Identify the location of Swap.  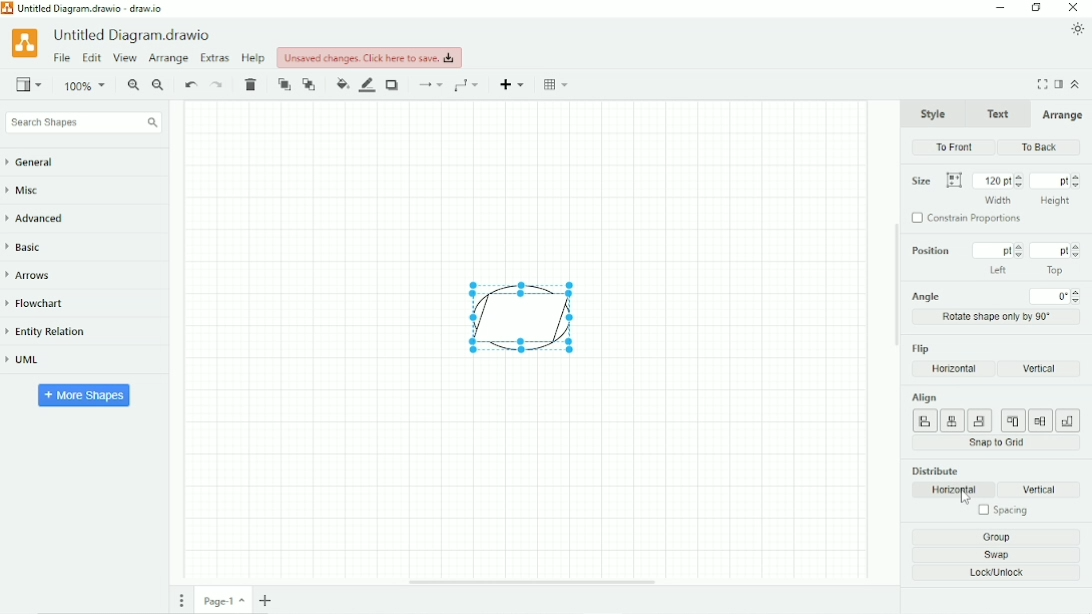
(1003, 555).